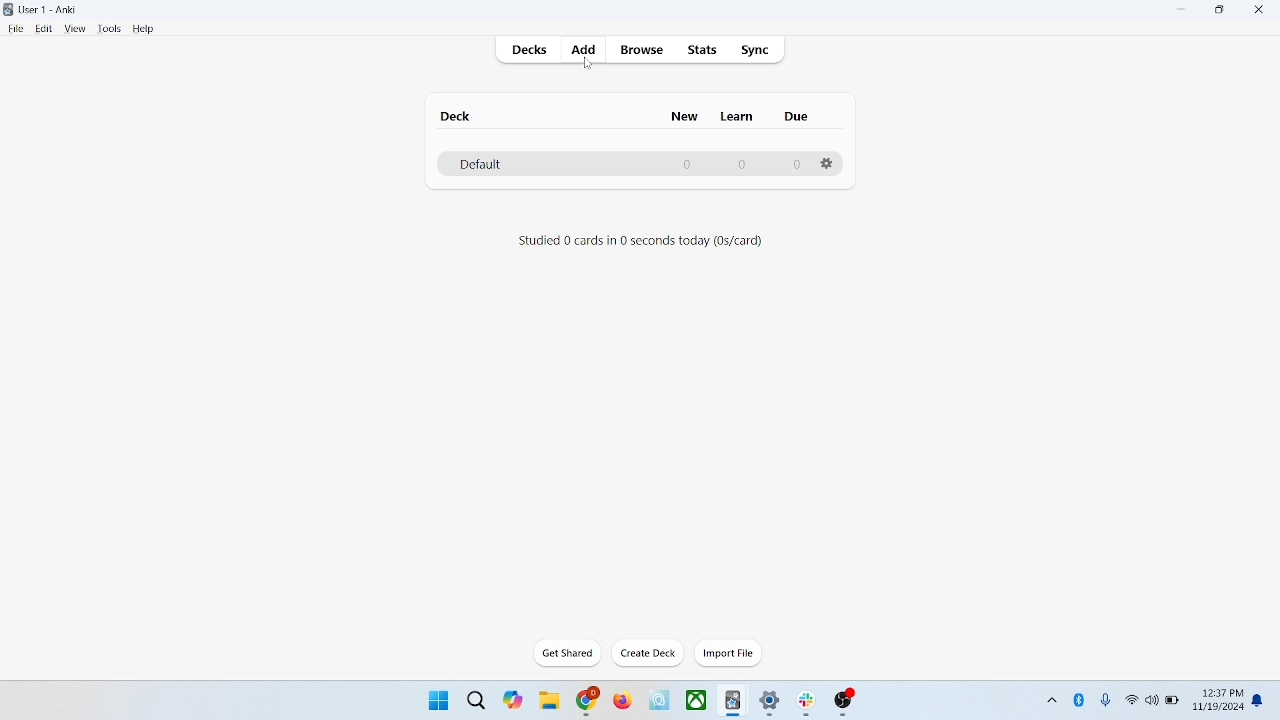  What do you see at coordinates (585, 51) in the screenshot?
I see `add` at bounding box center [585, 51].